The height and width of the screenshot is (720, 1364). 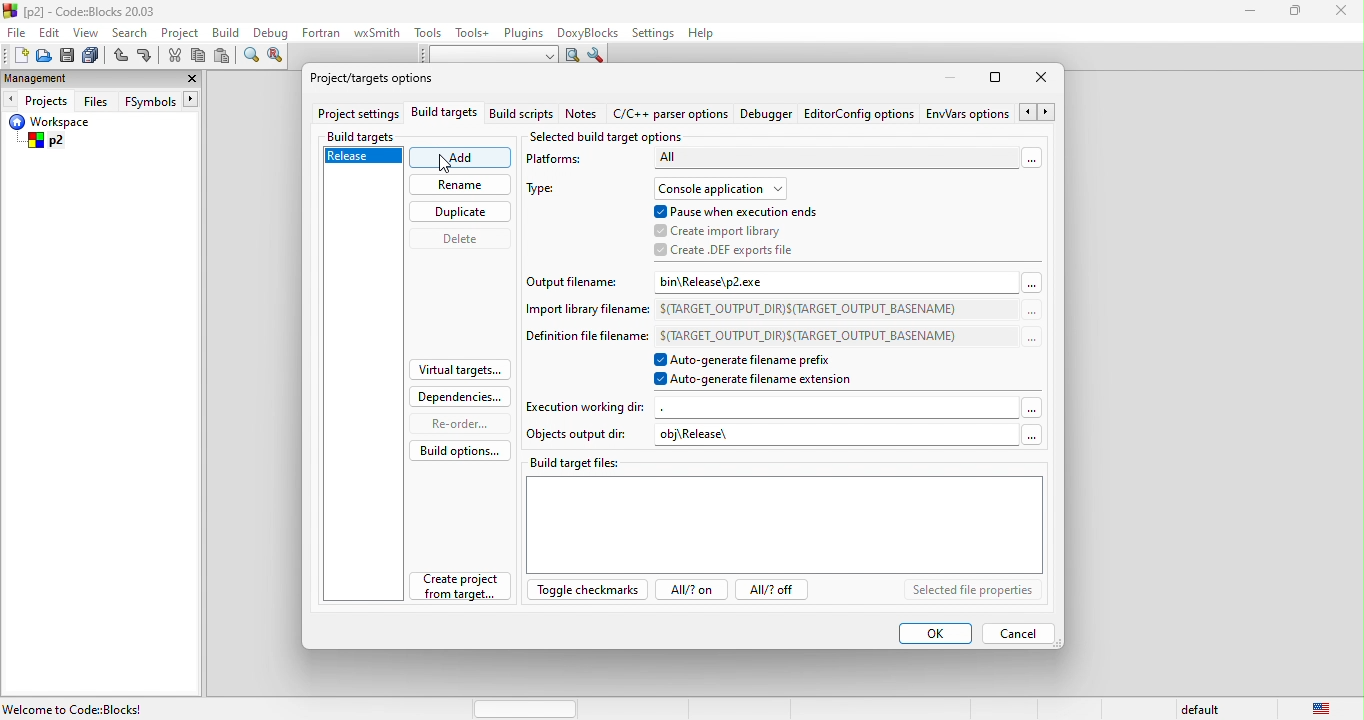 I want to click on save, so click(x=69, y=56).